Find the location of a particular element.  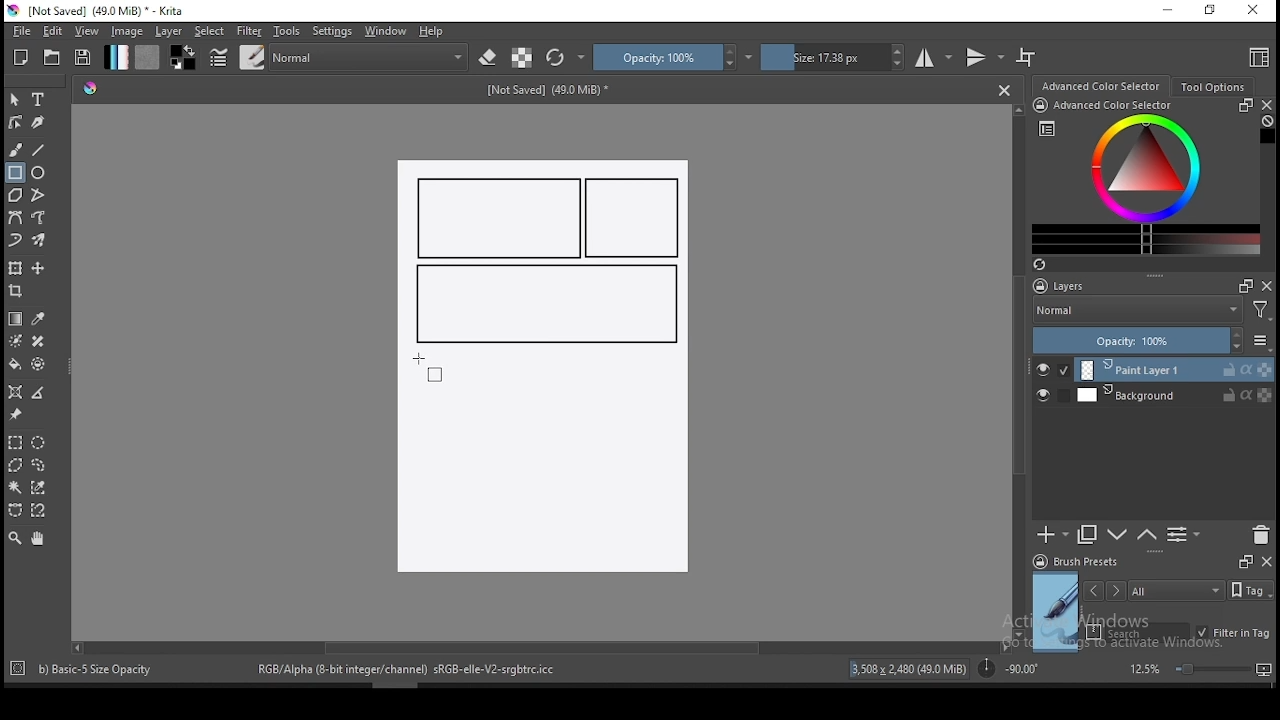

preview is located at coordinates (1056, 612).